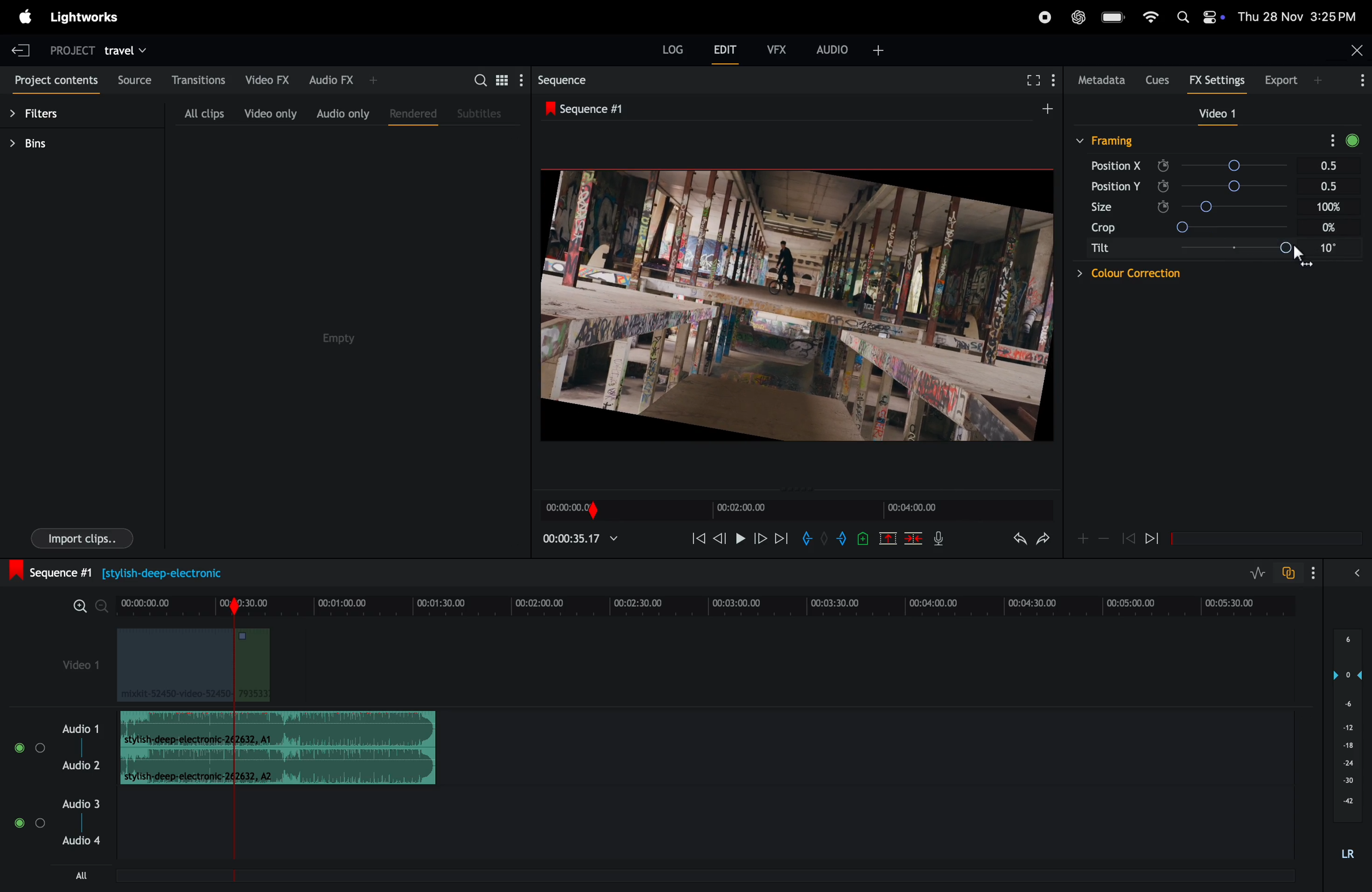  What do you see at coordinates (229, 841) in the screenshot?
I see `playback marker` at bounding box center [229, 841].